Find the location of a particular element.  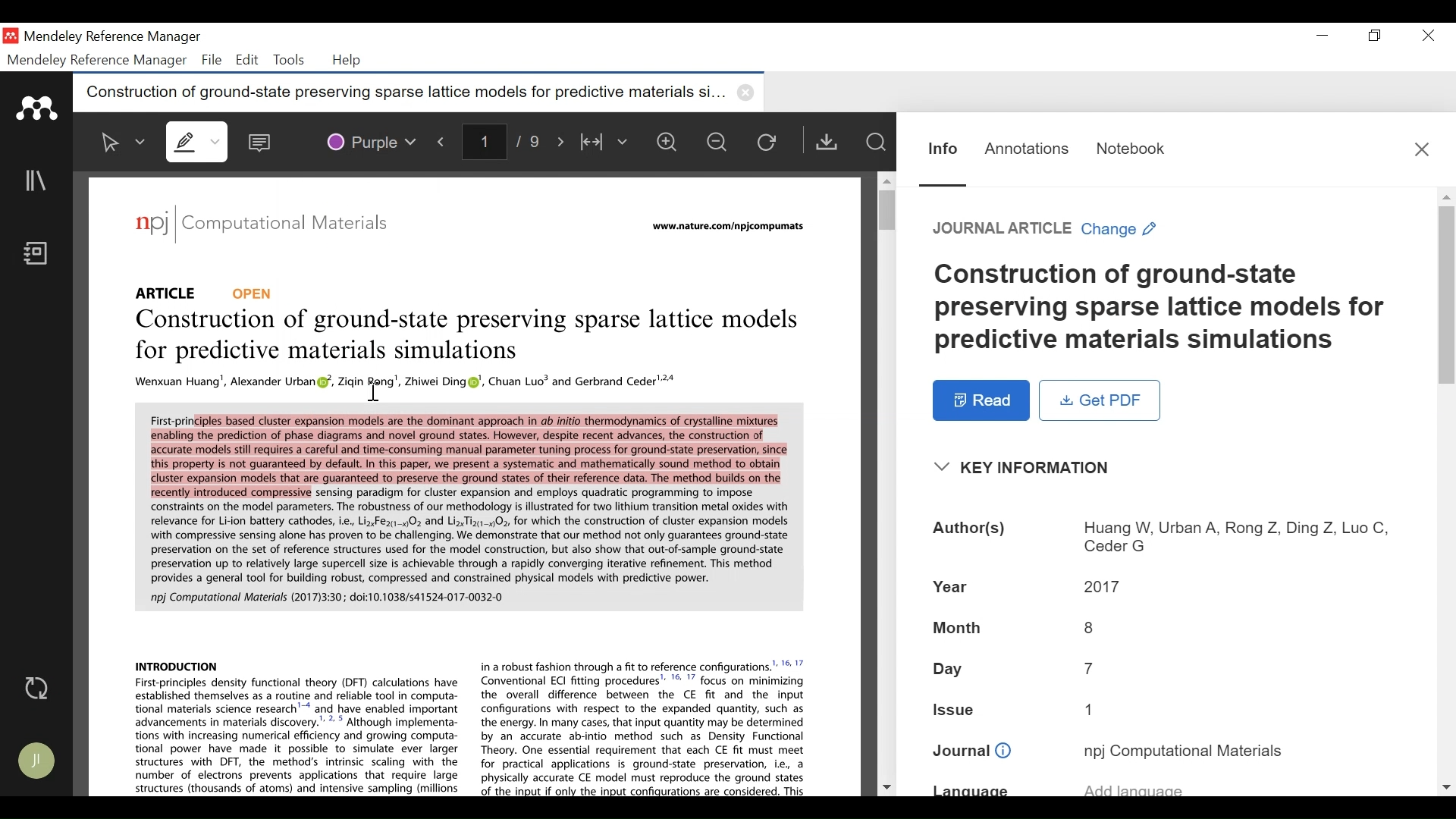

Sync is located at coordinates (39, 689).